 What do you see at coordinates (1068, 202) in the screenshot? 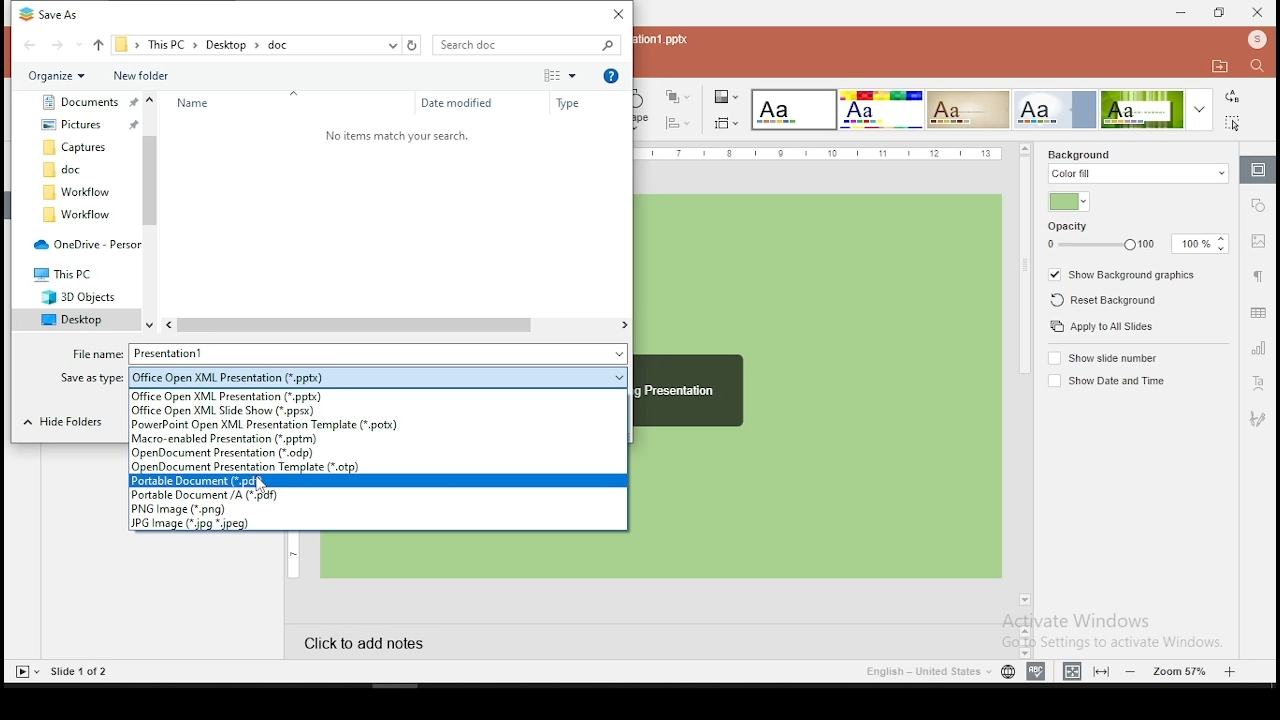
I see `fill color` at bounding box center [1068, 202].